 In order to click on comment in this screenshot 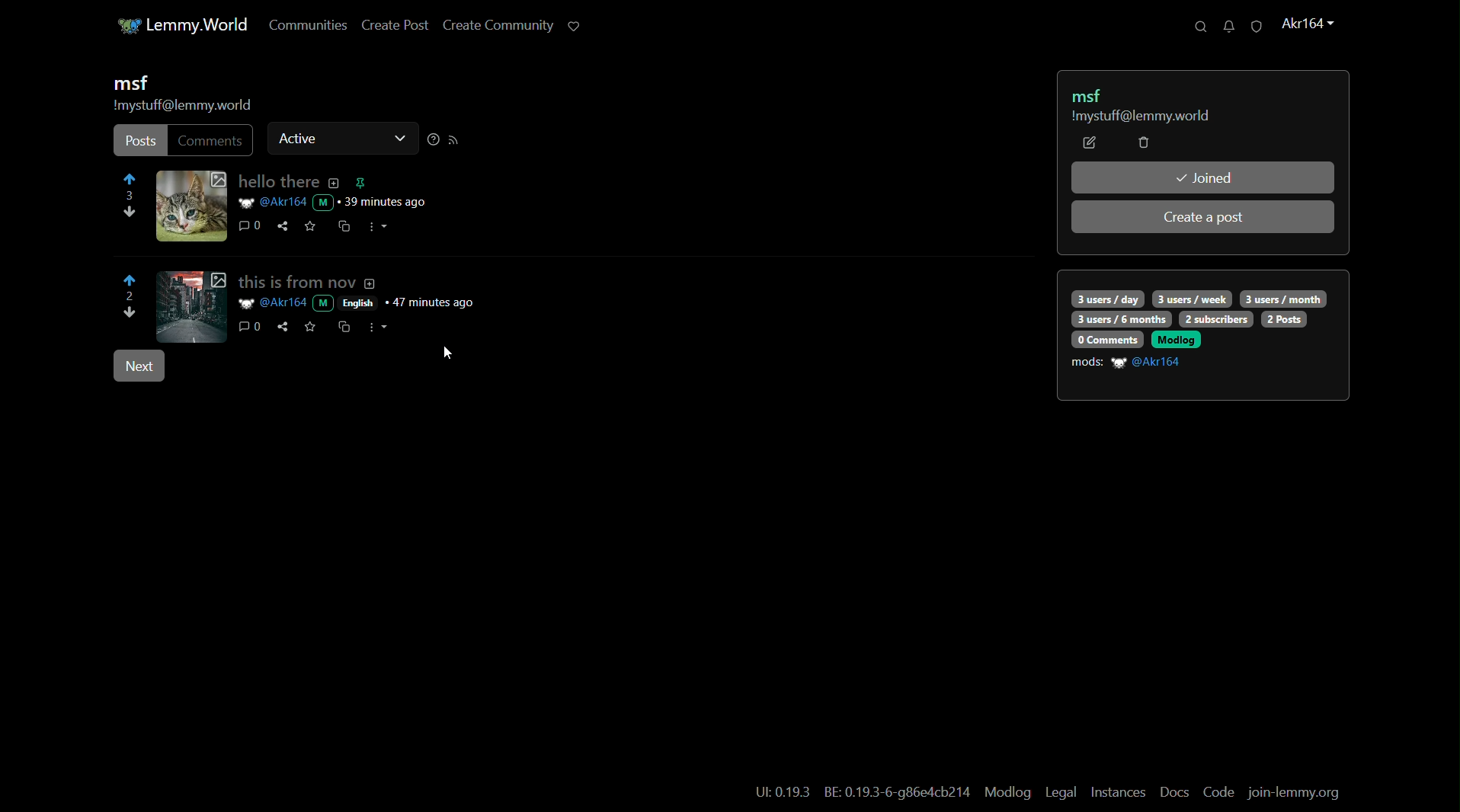, I will do `click(251, 227)`.